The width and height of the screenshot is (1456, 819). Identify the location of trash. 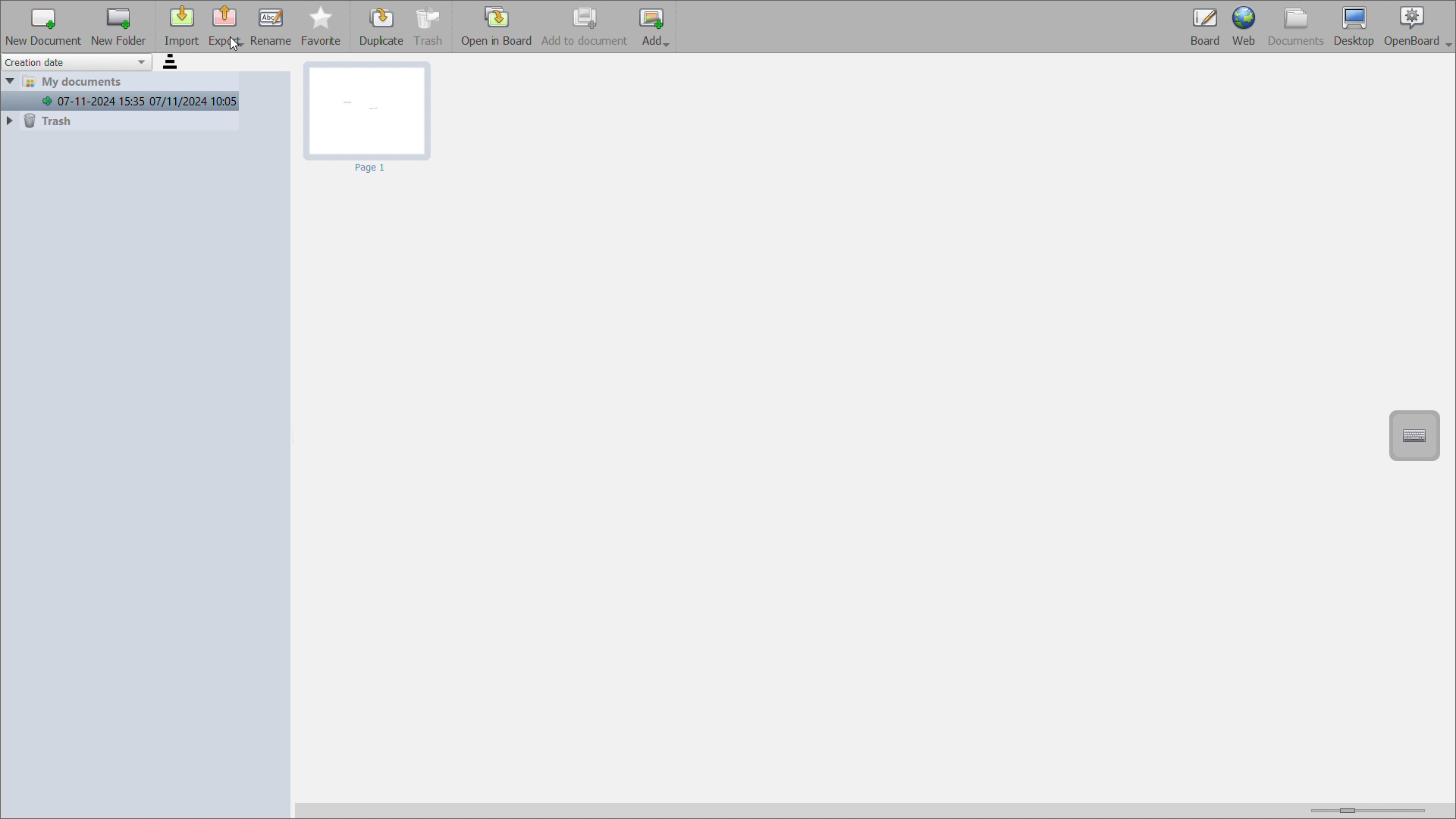
(119, 121).